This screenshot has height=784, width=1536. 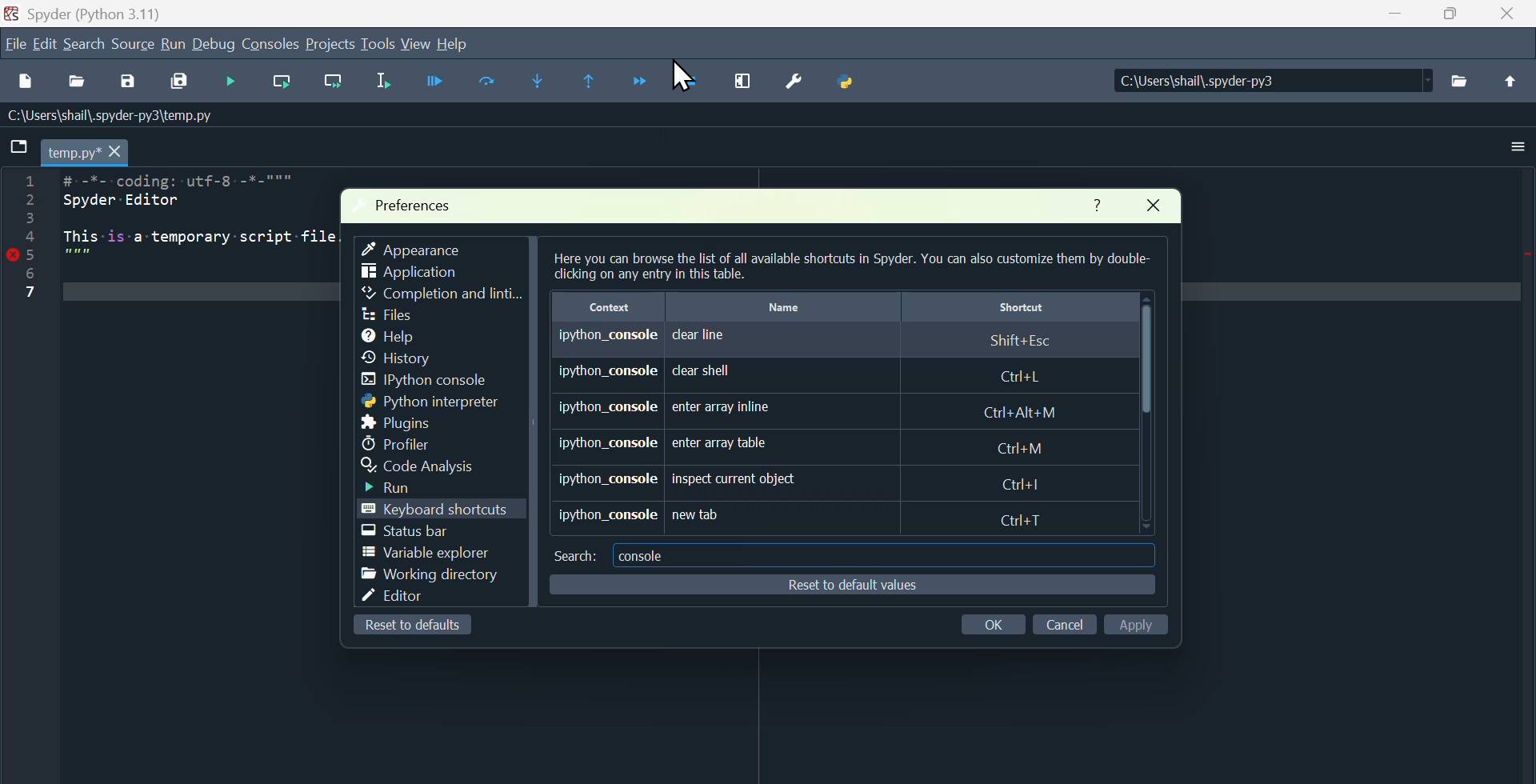 What do you see at coordinates (331, 45) in the screenshot?
I see `Projects` at bounding box center [331, 45].